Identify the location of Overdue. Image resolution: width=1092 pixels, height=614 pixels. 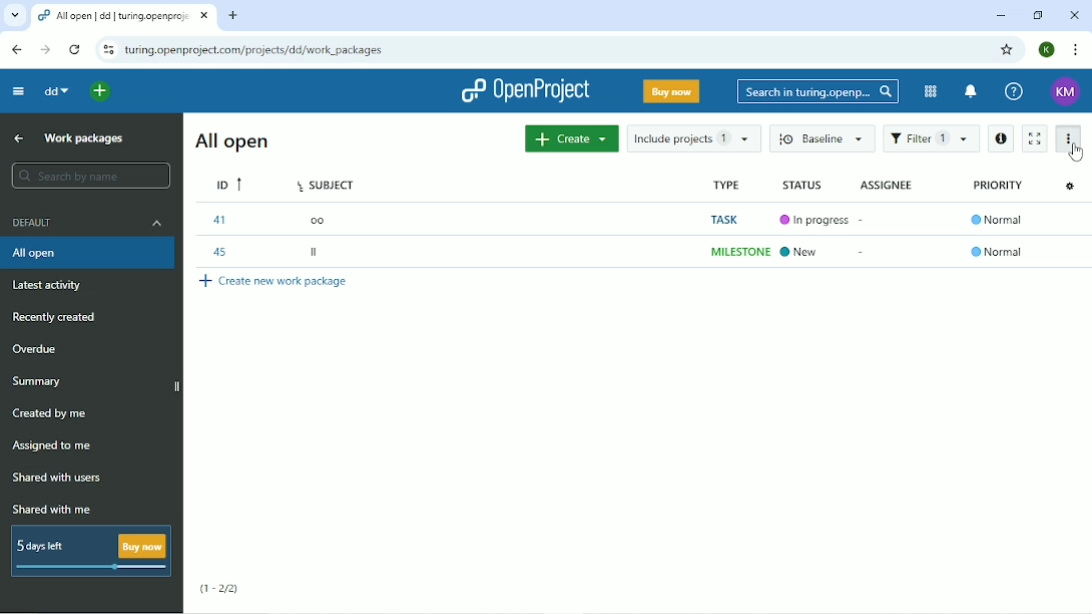
(40, 350).